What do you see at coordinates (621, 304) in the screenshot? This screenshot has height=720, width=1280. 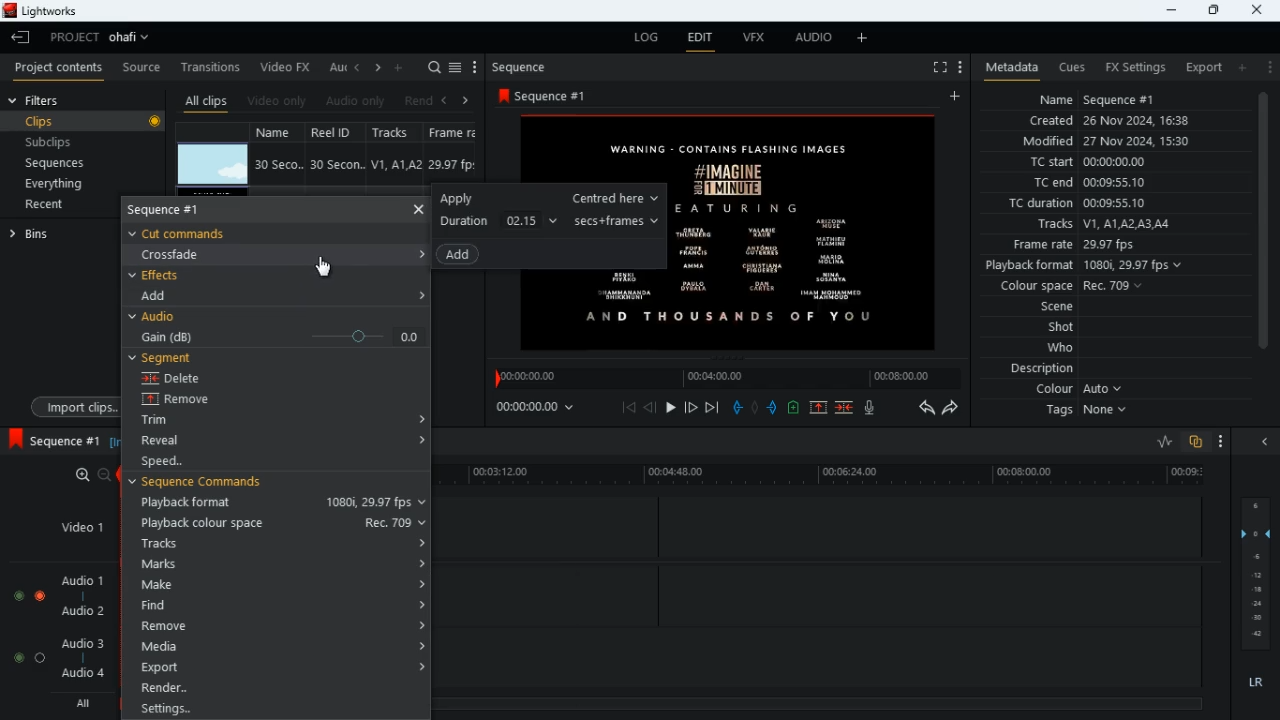 I see `image` at bounding box center [621, 304].